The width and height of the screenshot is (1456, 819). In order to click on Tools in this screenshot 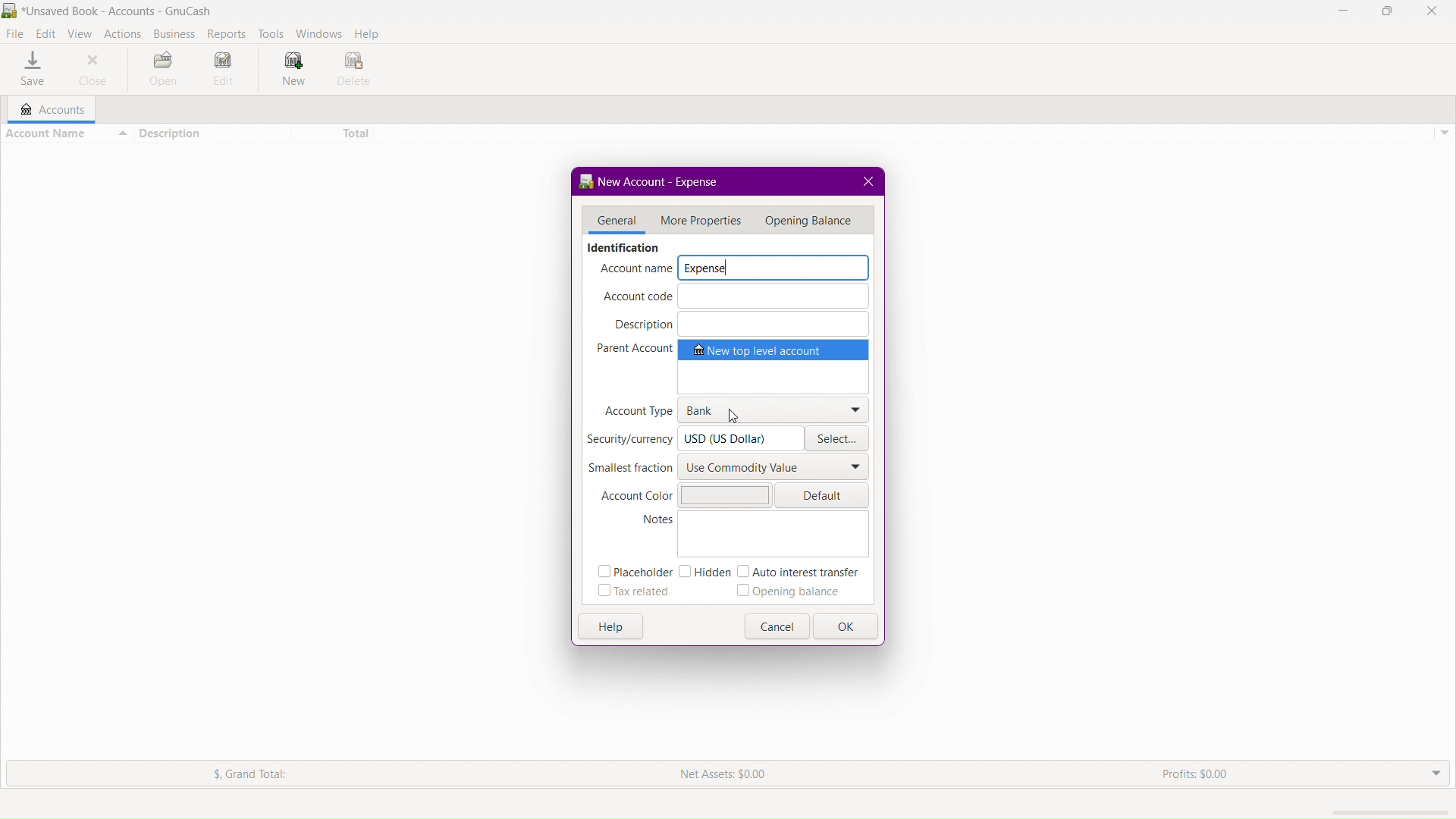, I will do `click(269, 31)`.